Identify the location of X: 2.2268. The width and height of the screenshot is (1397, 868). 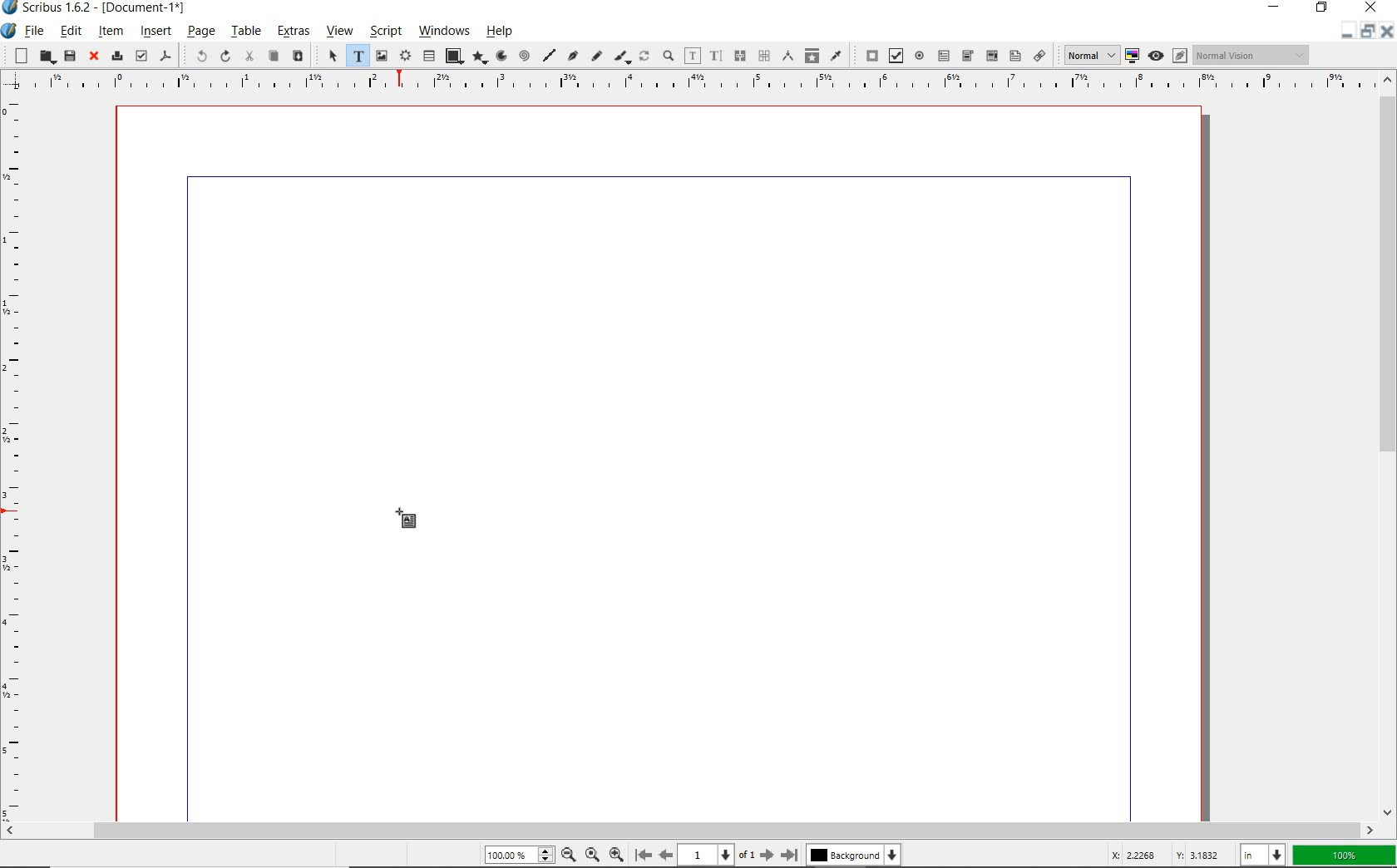
(1137, 855).